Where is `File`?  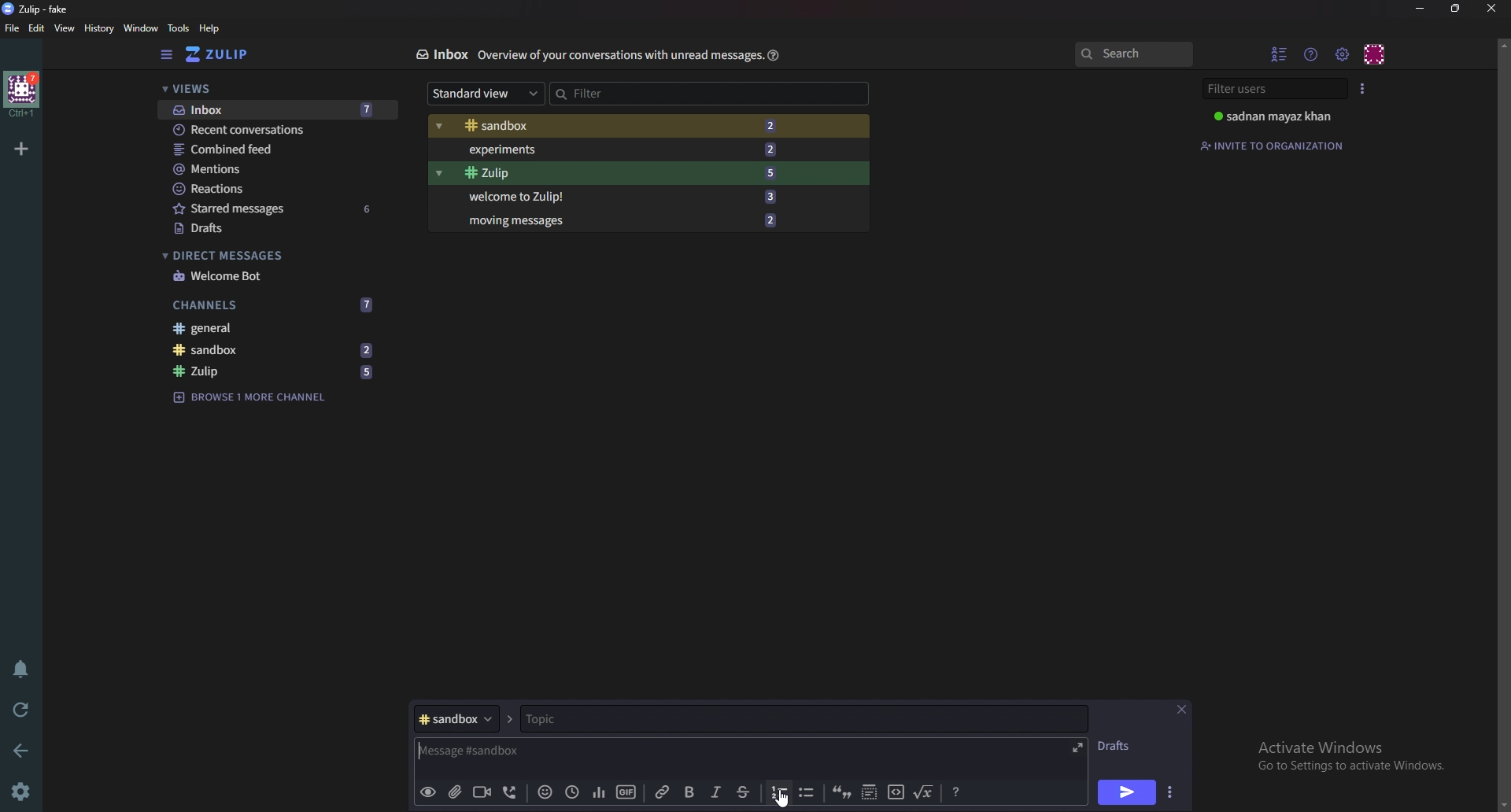 File is located at coordinates (13, 29).